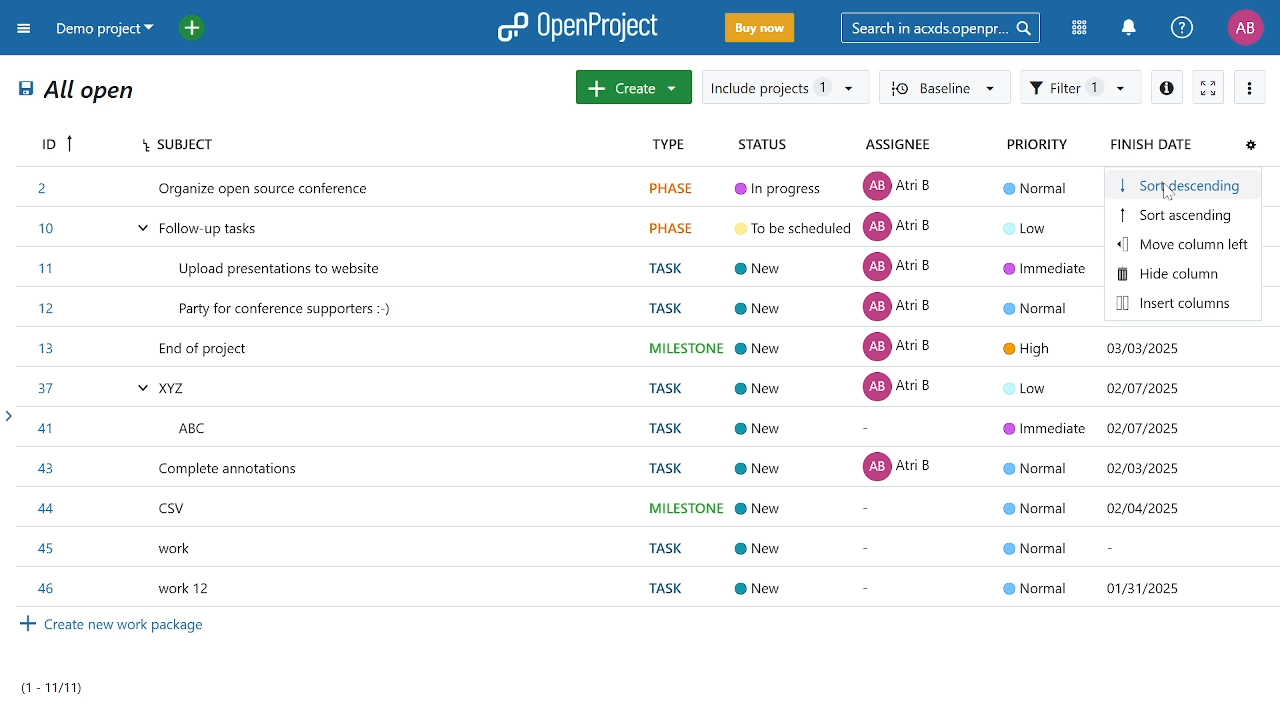 The height and width of the screenshot is (720, 1280). Describe the element at coordinates (1186, 186) in the screenshot. I see `sort descending` at that location.